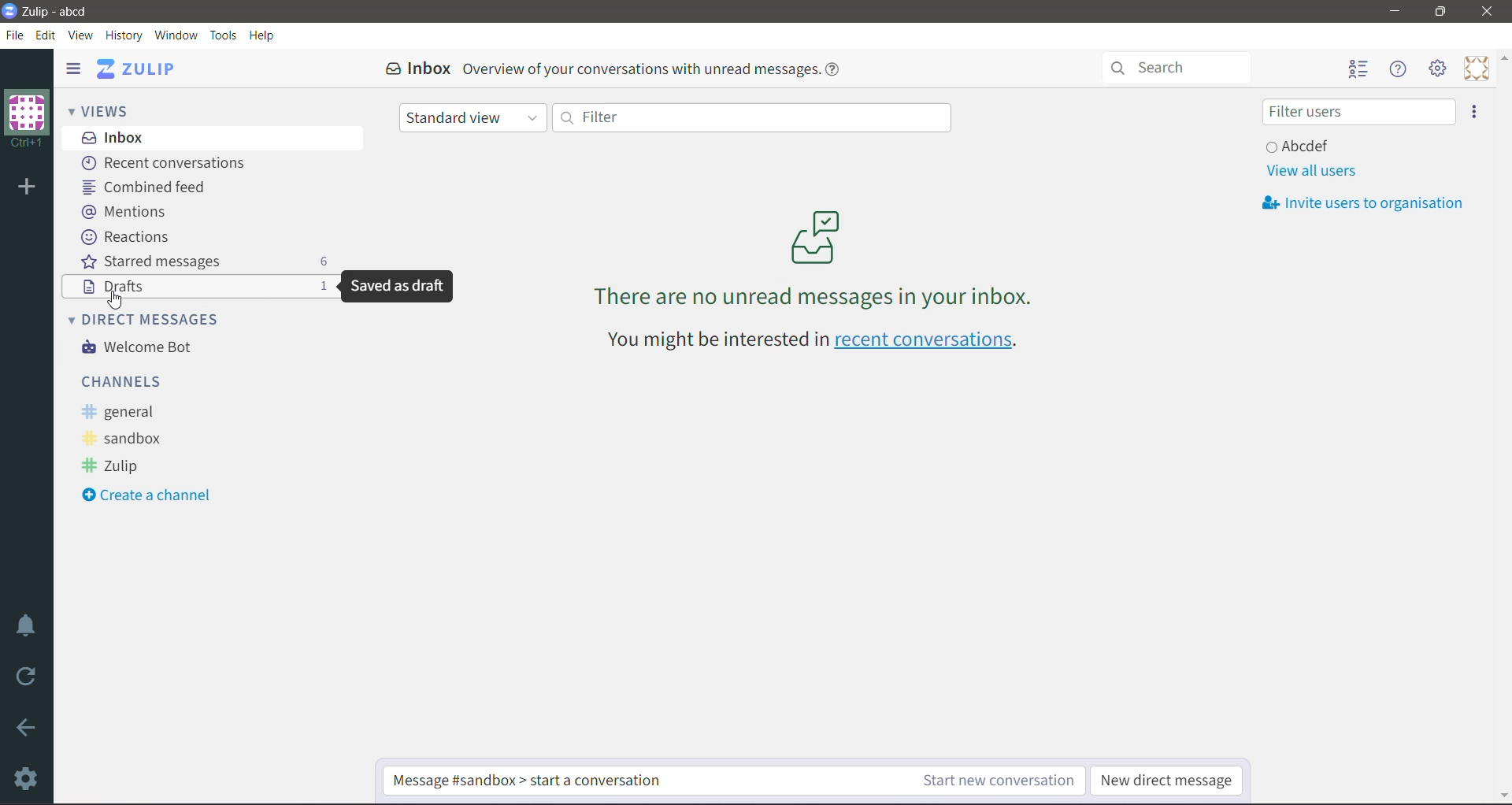 This screenshot has width=1512, height=805. What do you see at coordinates (28, 778) in the screenshot?
I see `Settings` at bounding box center [28, 778].